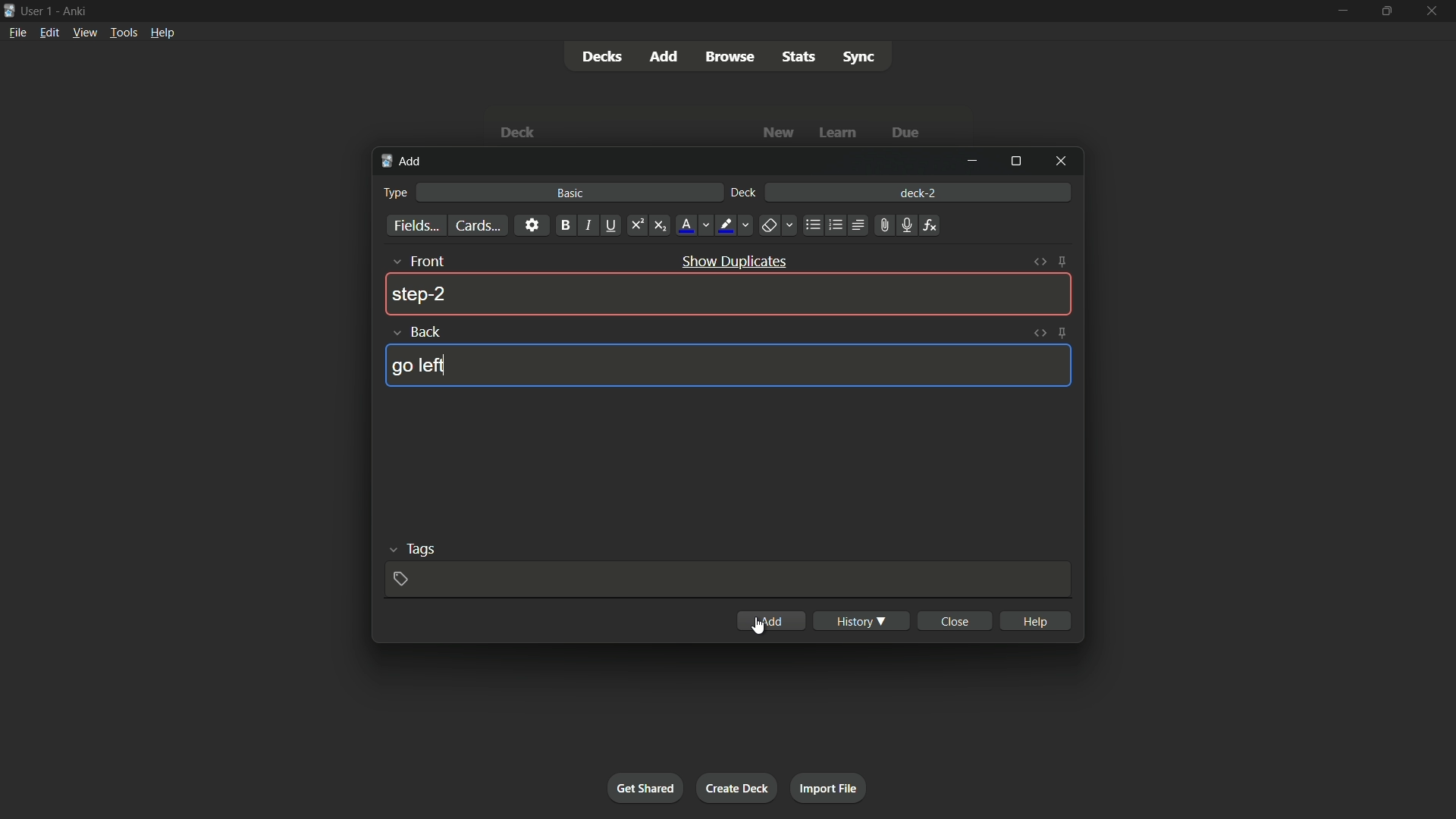 This screenshot has width=1456, height=819. What do you see at coordinates (905, 225) in the screenshot?
I see `record audio` at bounding box center [905, 225].